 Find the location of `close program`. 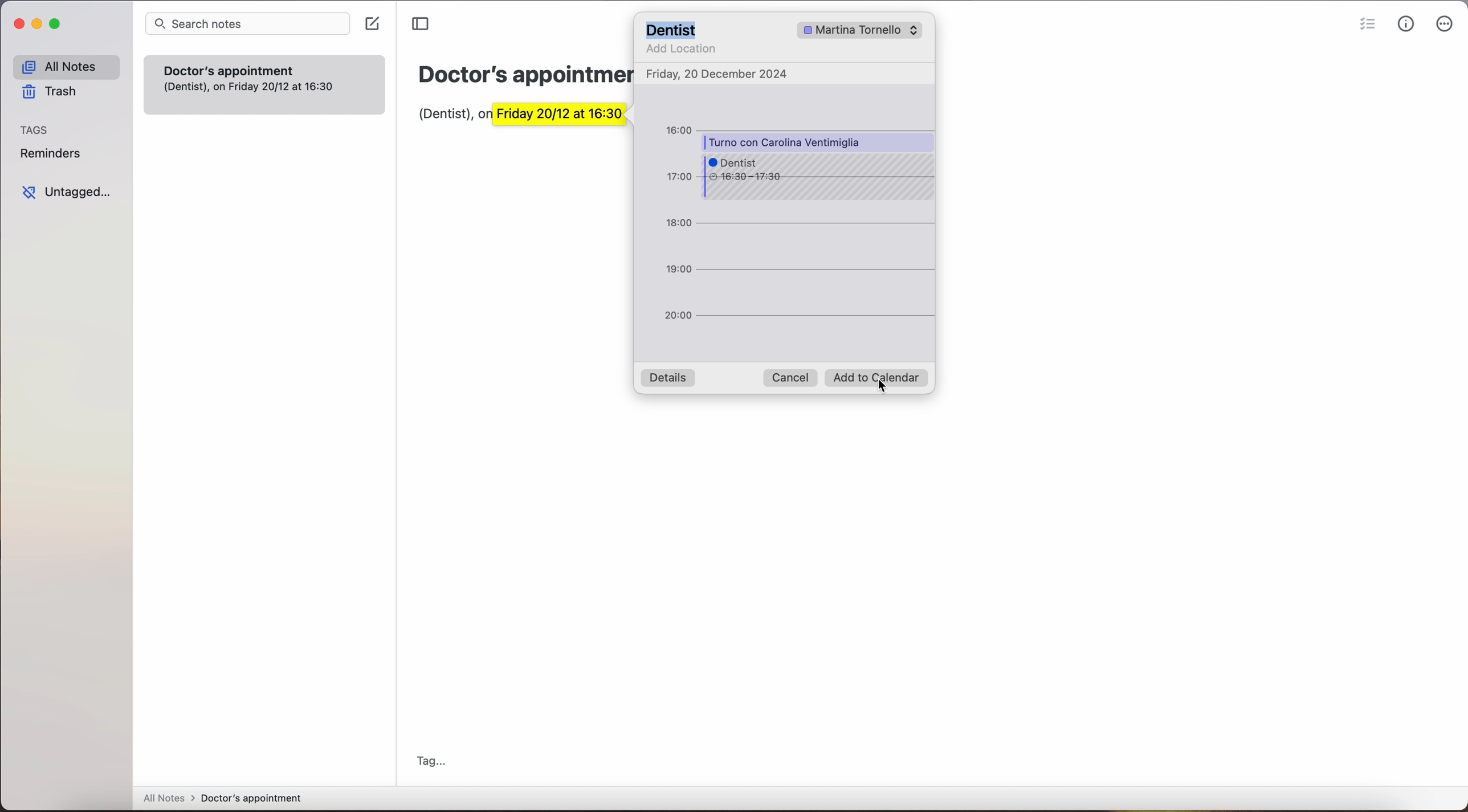

close program is located at coordinates (15, 23).